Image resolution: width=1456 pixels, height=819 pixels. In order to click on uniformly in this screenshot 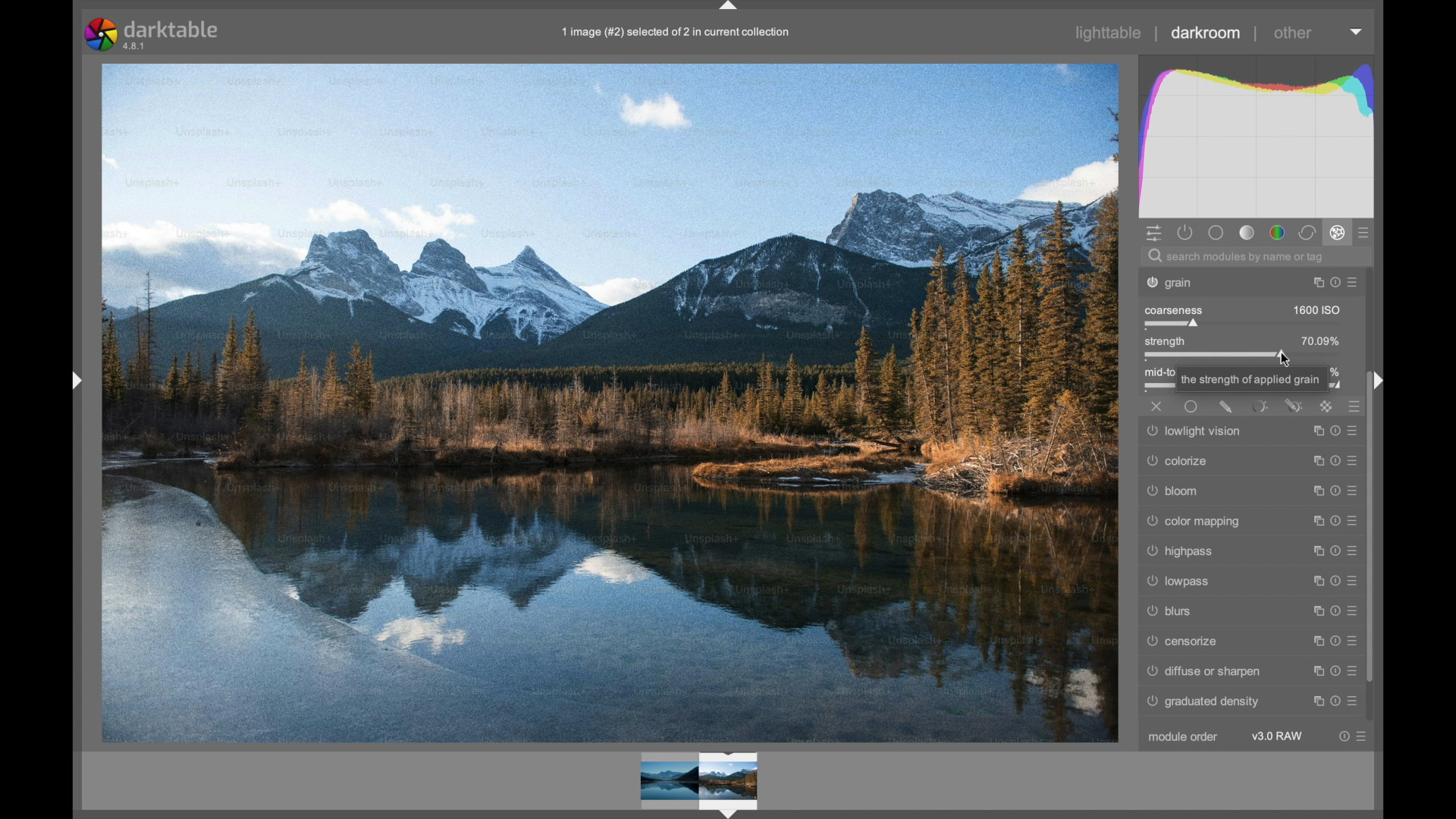, I will do `click(1191, 406)`.